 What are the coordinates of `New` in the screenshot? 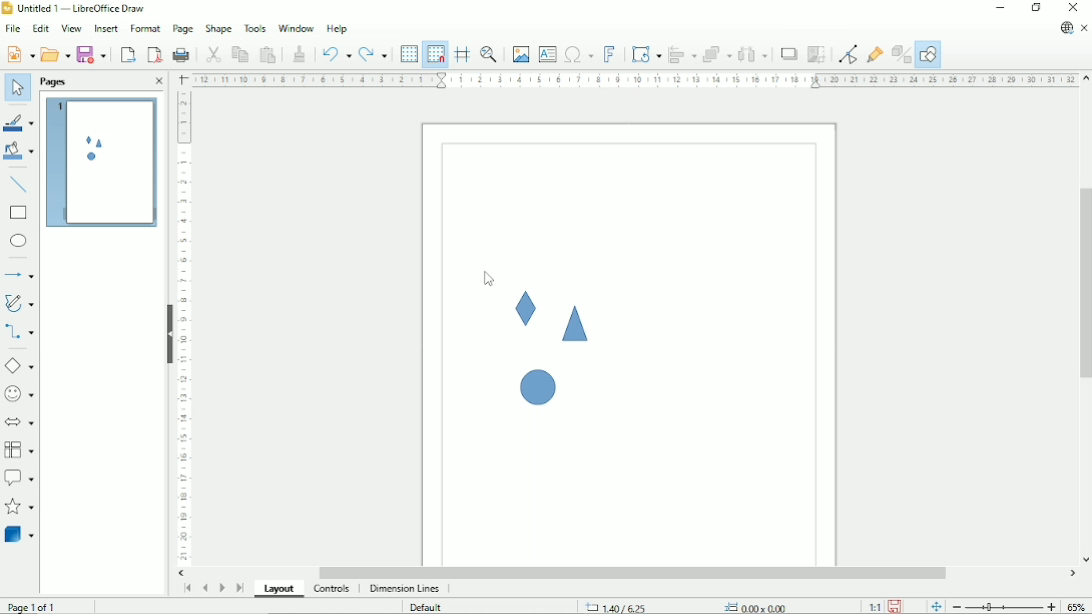 It's located at (19, 54).